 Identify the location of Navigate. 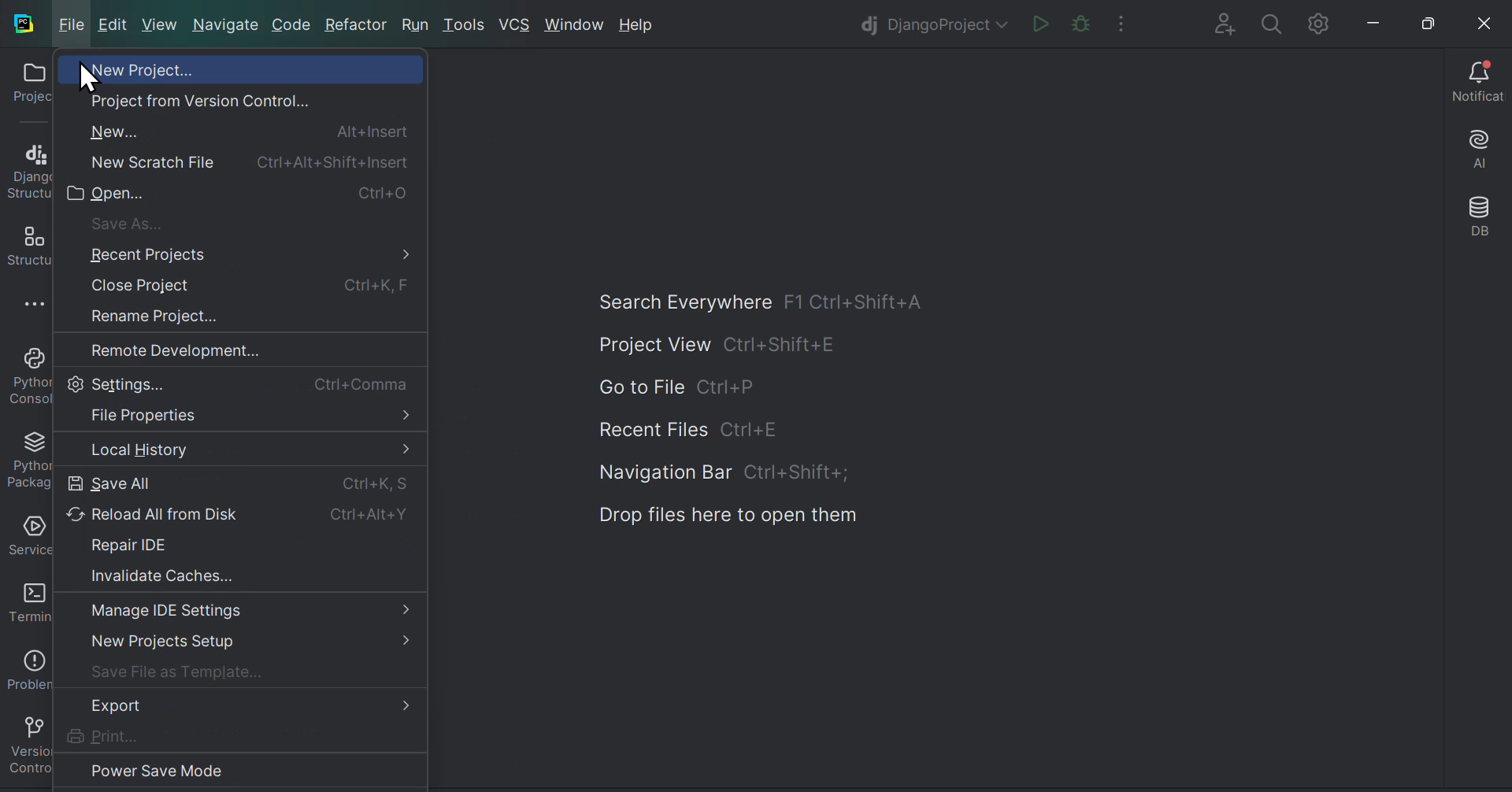
(226, 24).